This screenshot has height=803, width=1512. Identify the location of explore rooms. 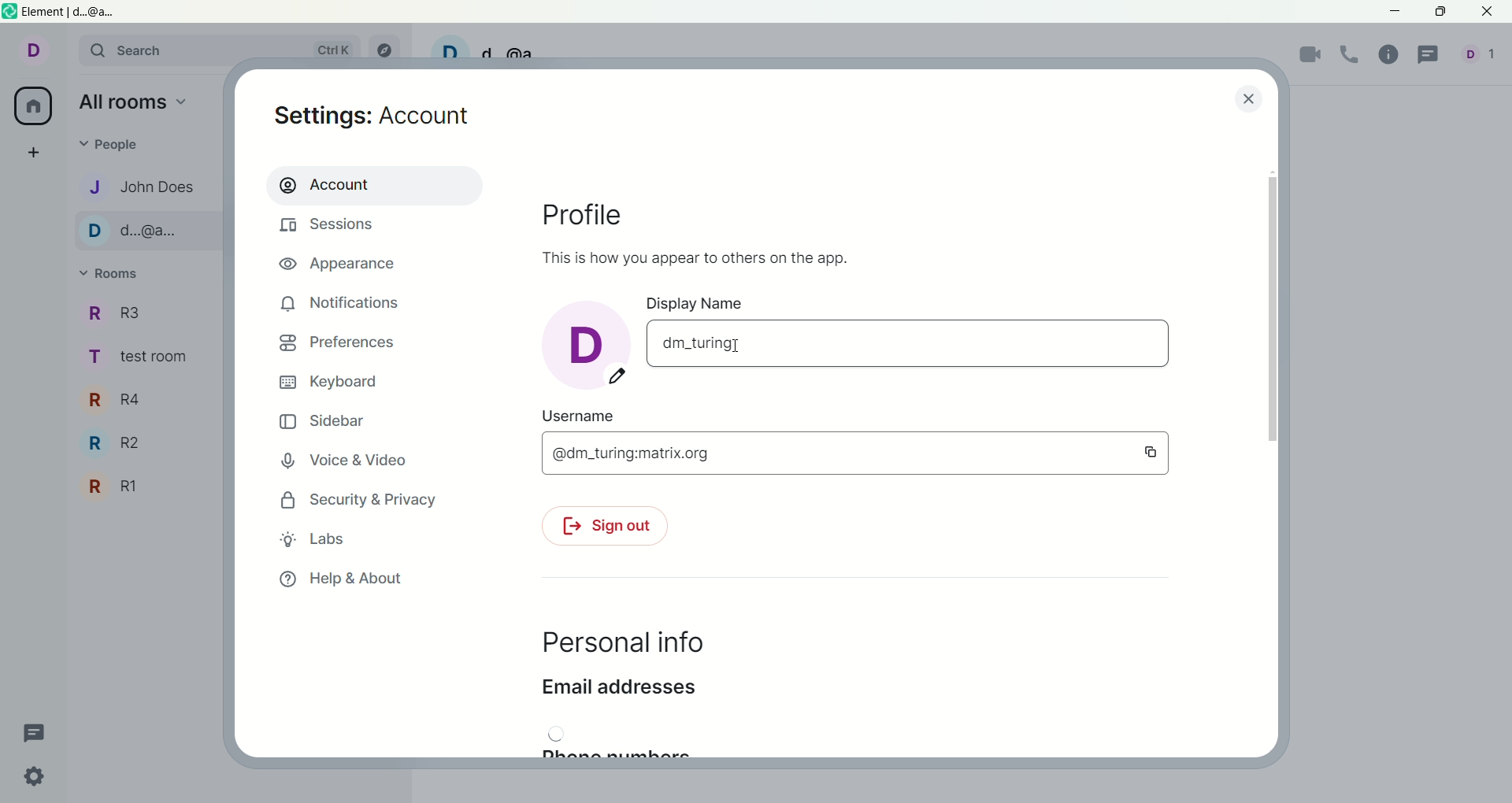
(389, 50).